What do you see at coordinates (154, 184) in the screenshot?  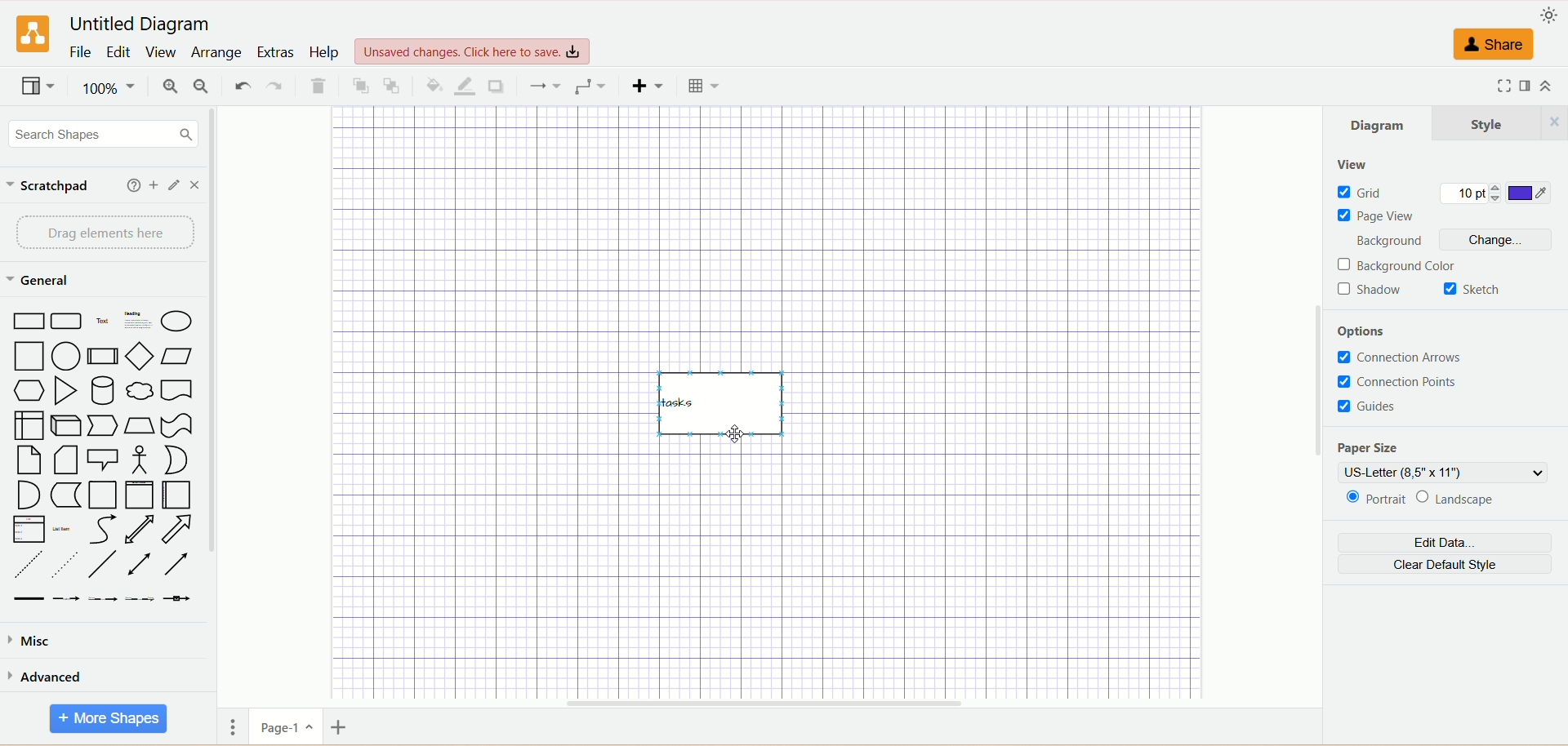 I see `add` at bounding box center [154, 184].